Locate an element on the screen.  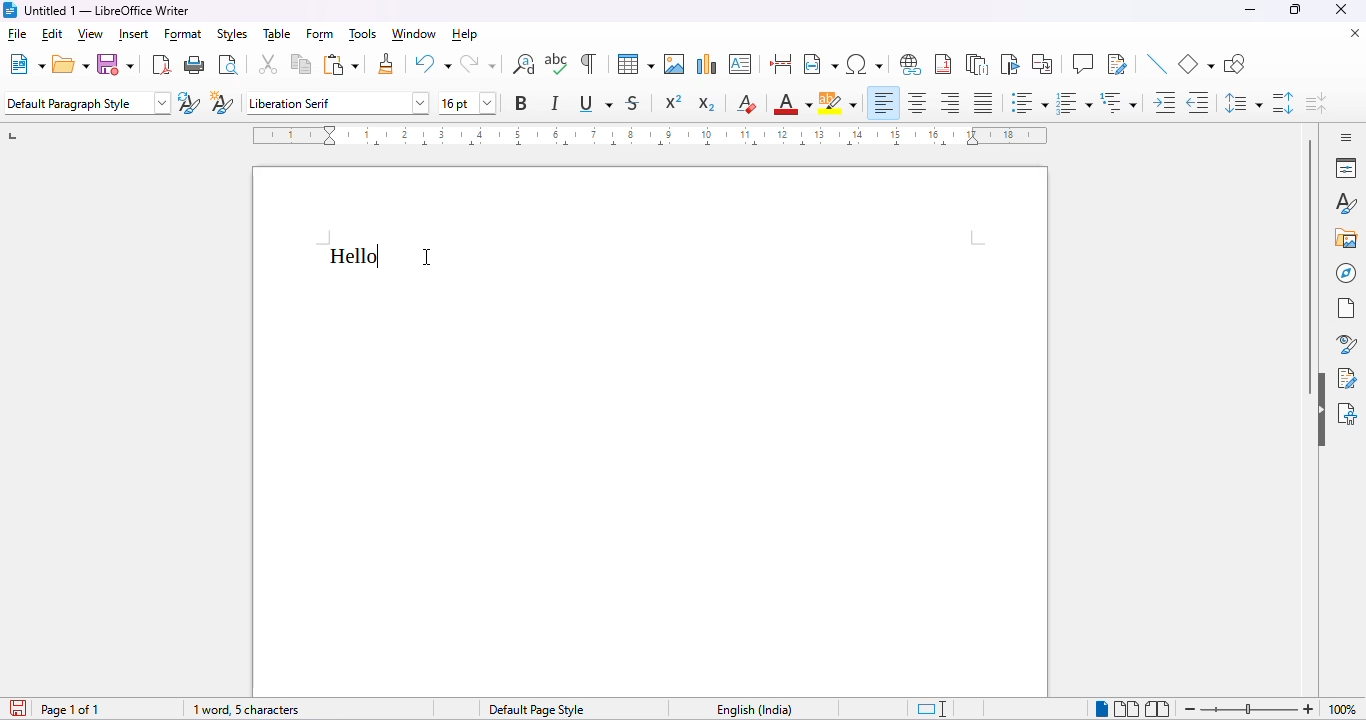
format is located at coordinates (184, 34).